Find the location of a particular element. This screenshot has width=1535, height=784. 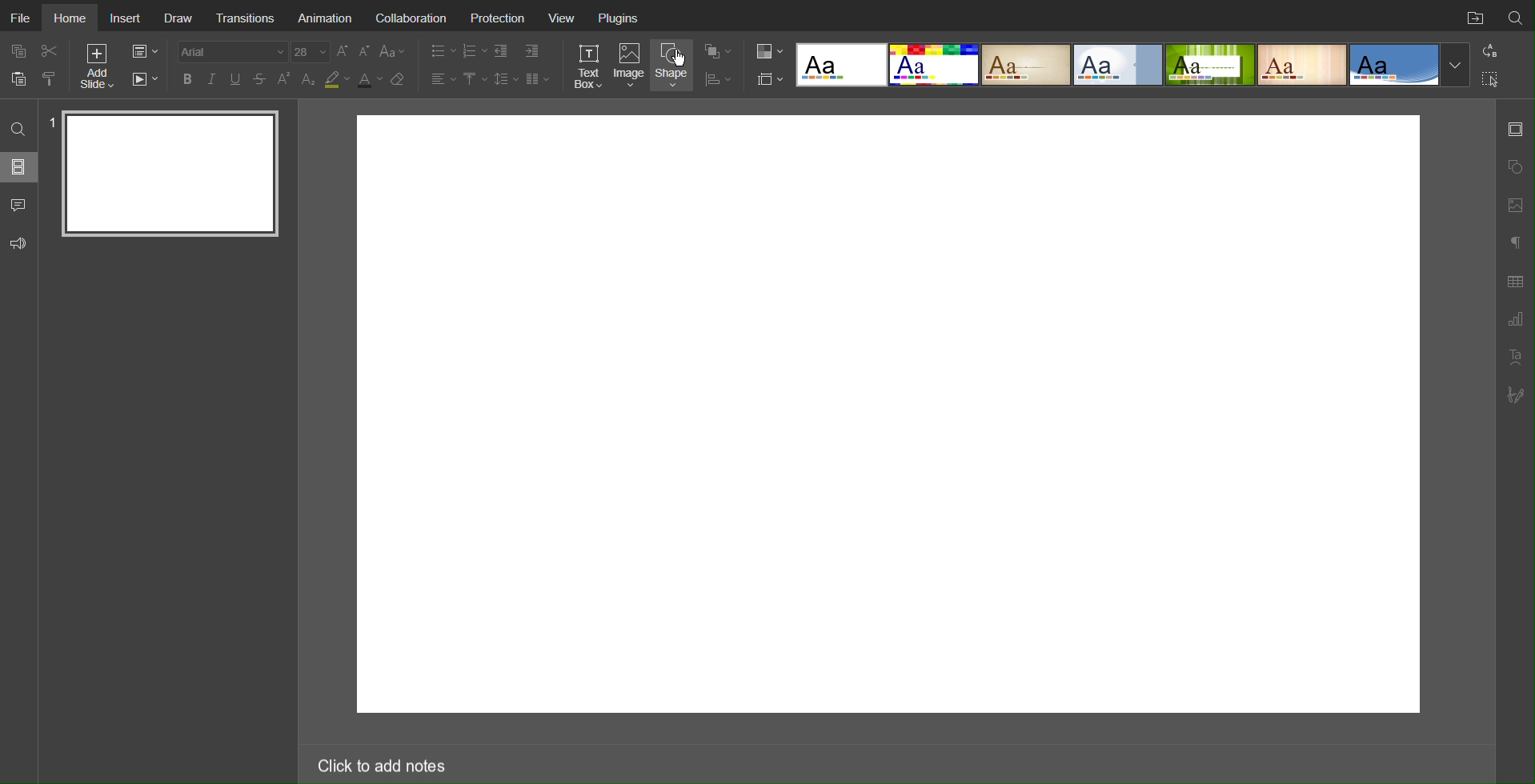

Shape Settings is located at coordinates (1514, 167).